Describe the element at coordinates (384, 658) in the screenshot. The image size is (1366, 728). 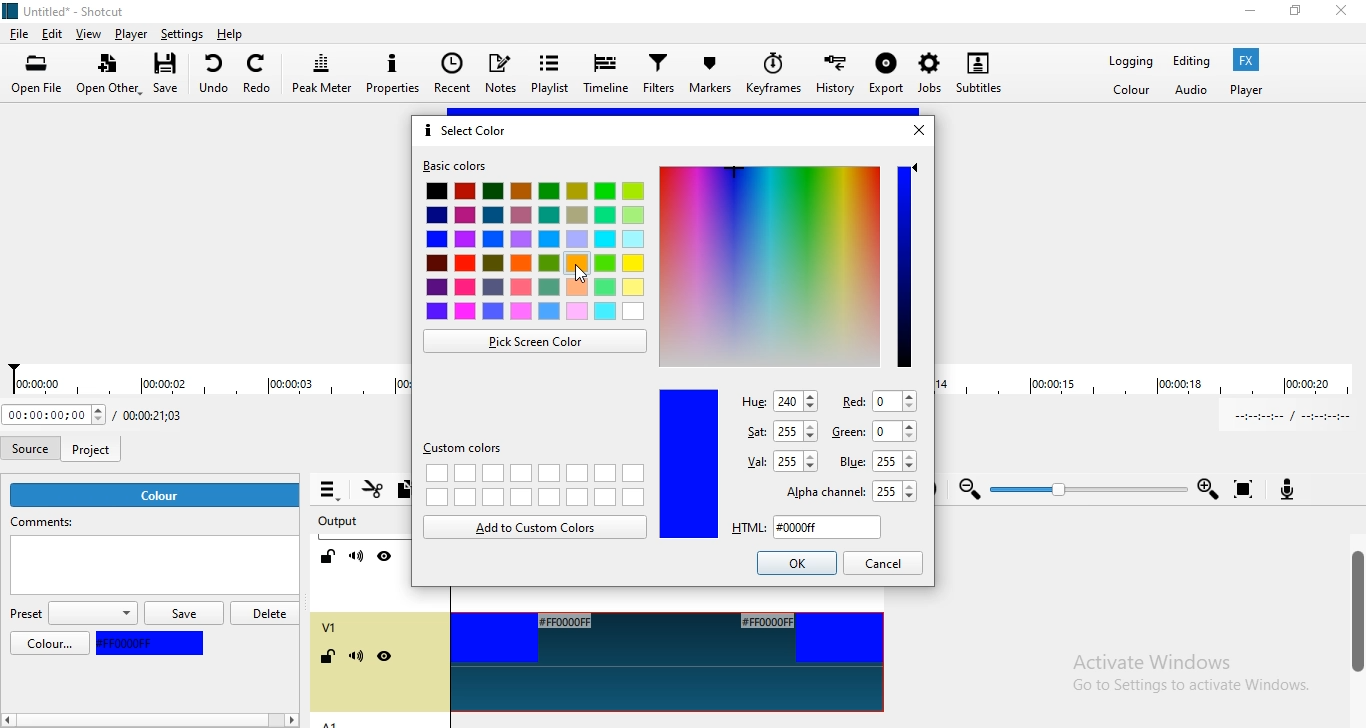
I see `hide` at that location.